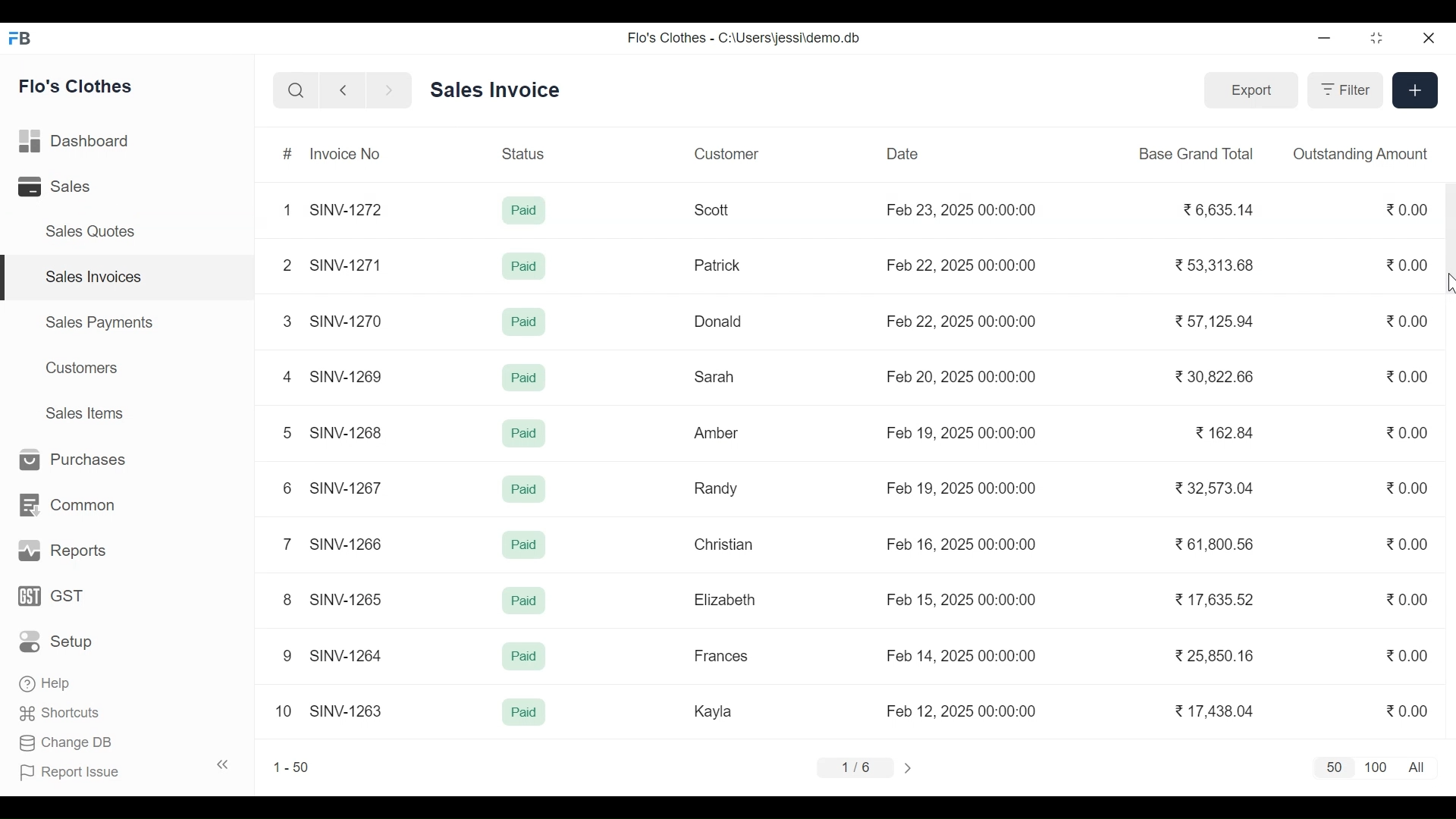 The width and height of the screenshot is (1456, 819). I want to click on #, so click(289, 155).